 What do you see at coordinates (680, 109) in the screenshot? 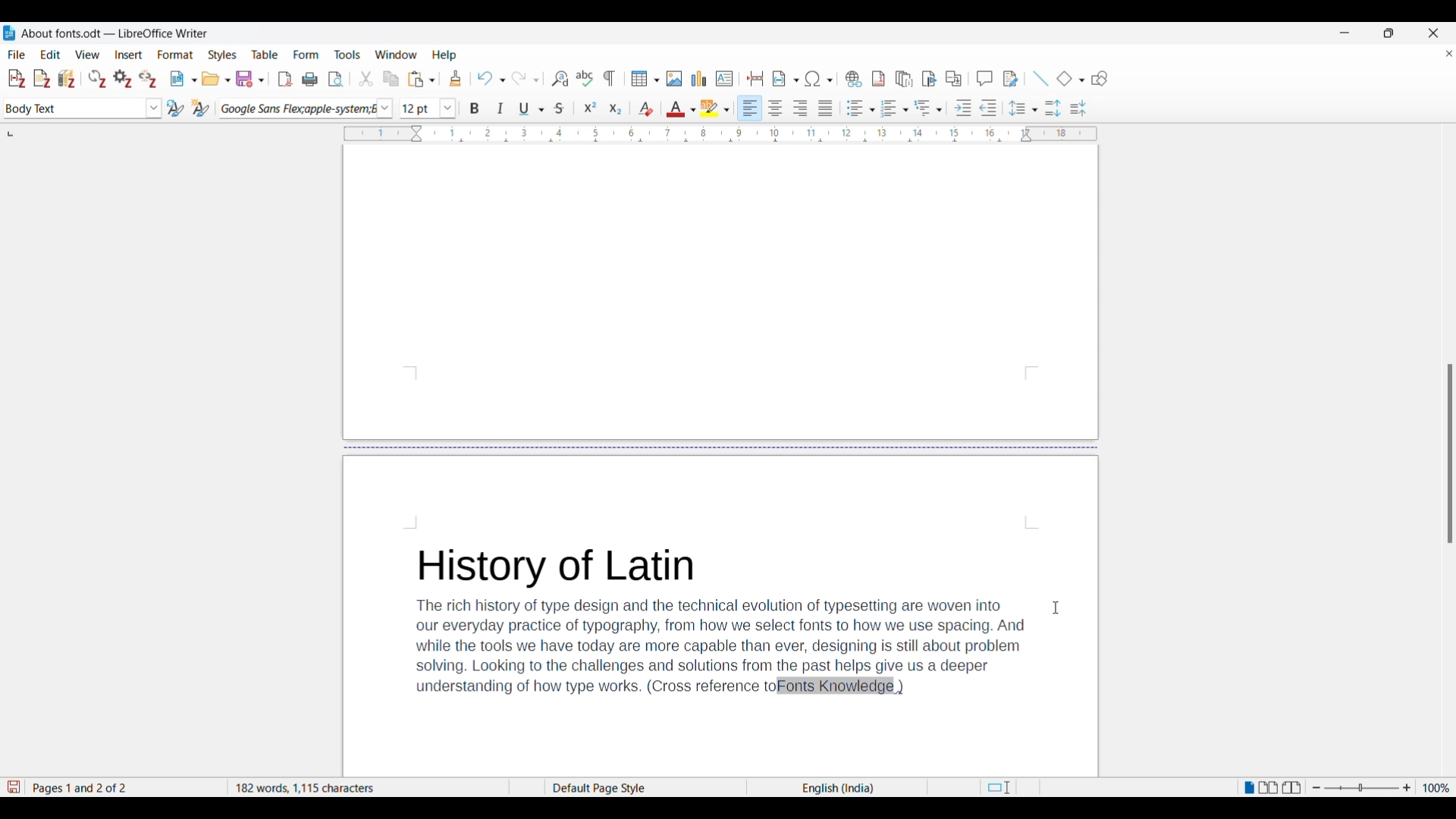
I see `Text color options` at bounding box center [680, 109].